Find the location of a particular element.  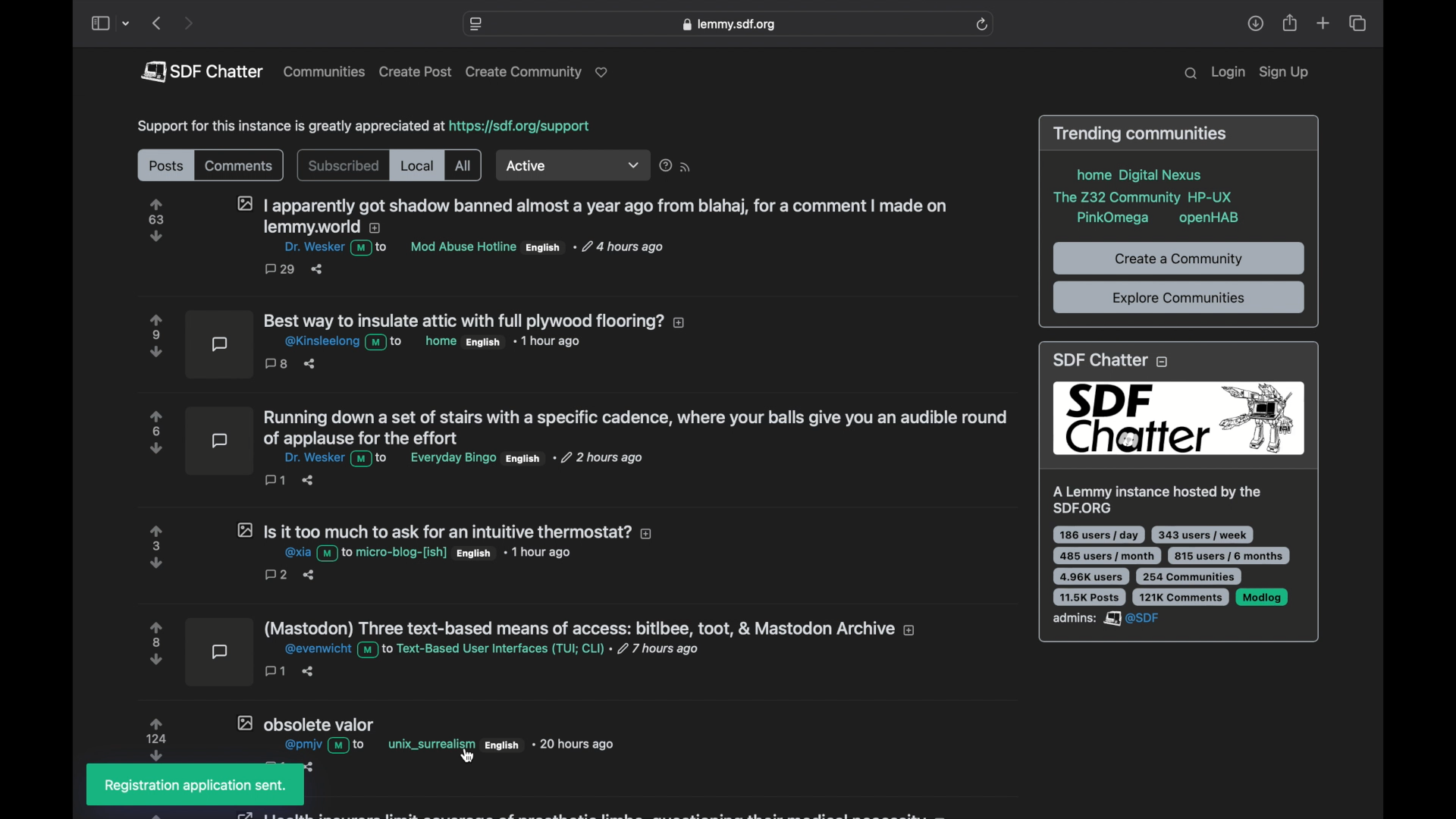

active is located at coordinates (574, 167).